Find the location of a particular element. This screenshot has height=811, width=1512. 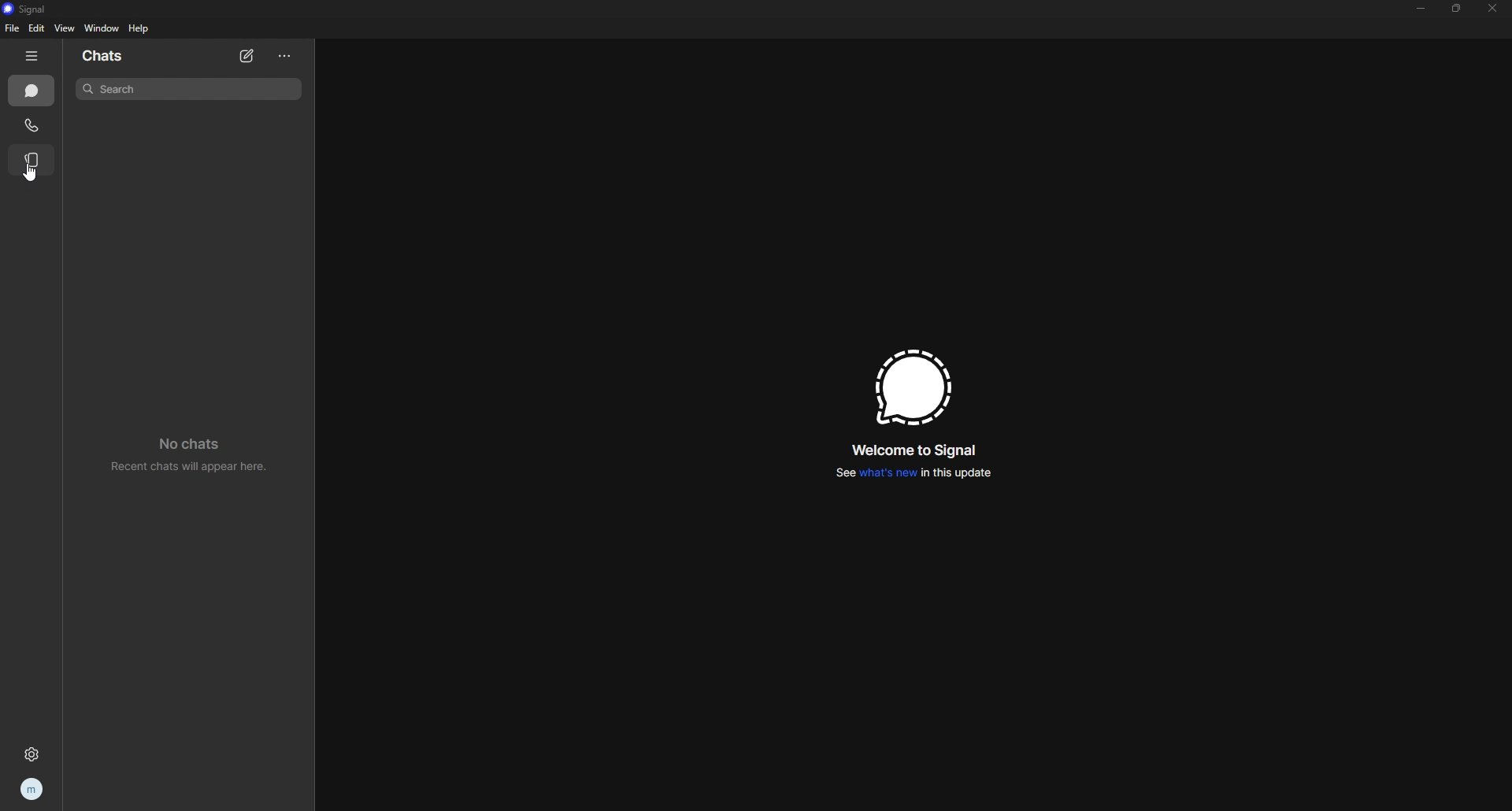

edit is located at coordinates (36, 28).